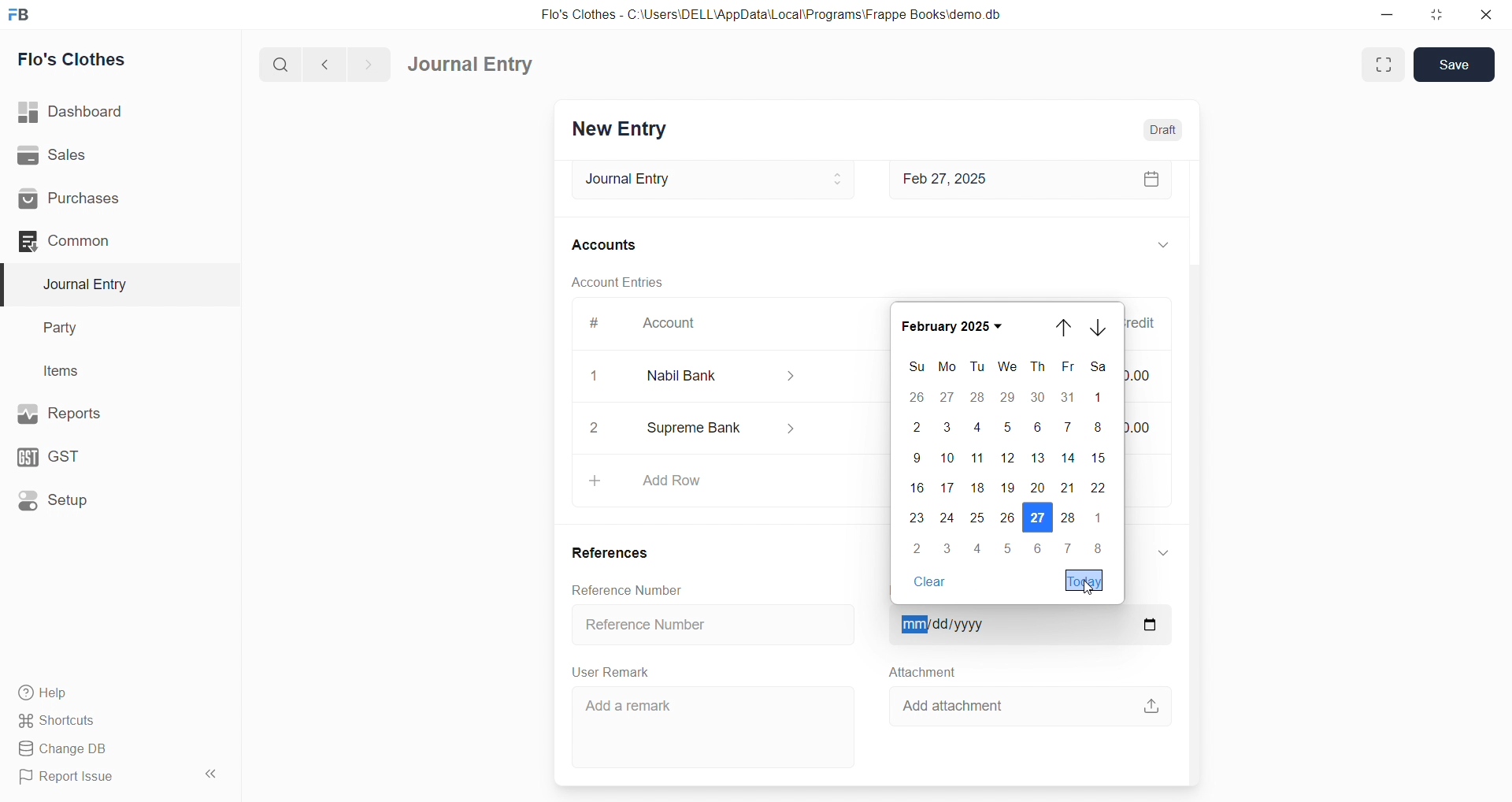 This screenshot has width=1512, height=802. What do you see at coordinates (93, 414) in the screenshot?
I see `Reports` at bounding box center [93, 414].